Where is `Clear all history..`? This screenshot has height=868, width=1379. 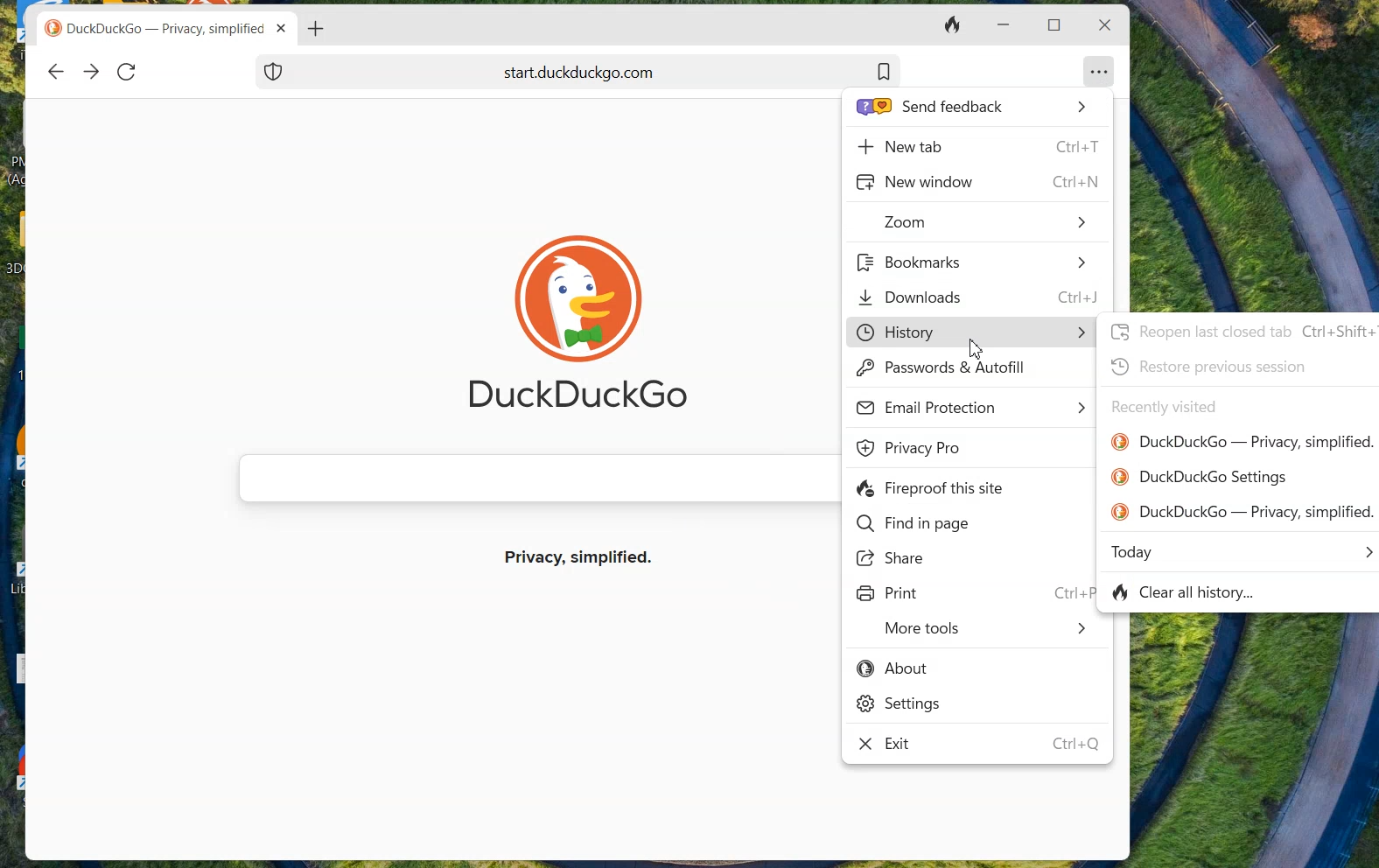 Clear all history.. is located at coordinates (1191, 594).